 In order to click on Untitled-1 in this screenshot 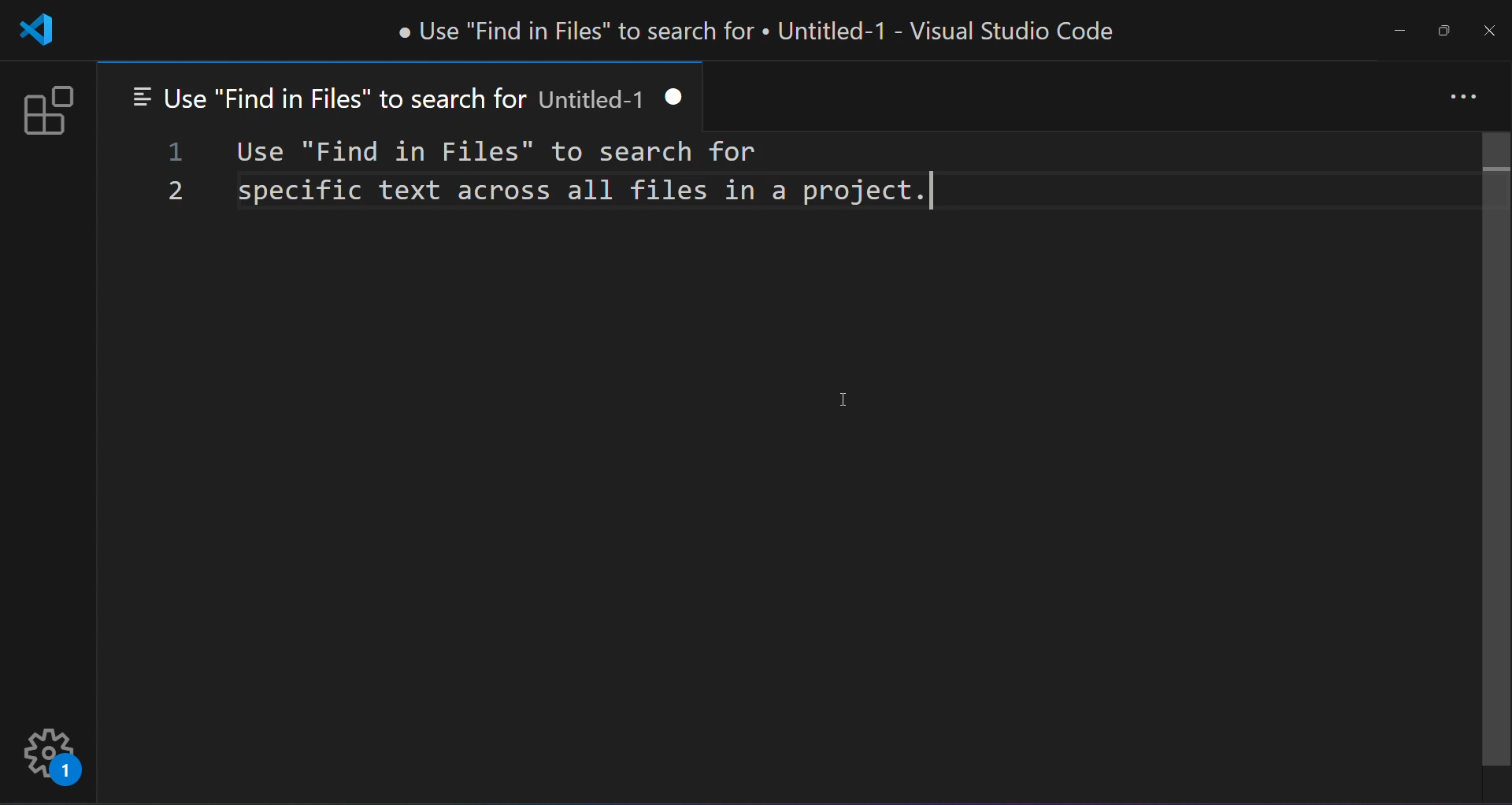, I will do `click(595, 99)`.